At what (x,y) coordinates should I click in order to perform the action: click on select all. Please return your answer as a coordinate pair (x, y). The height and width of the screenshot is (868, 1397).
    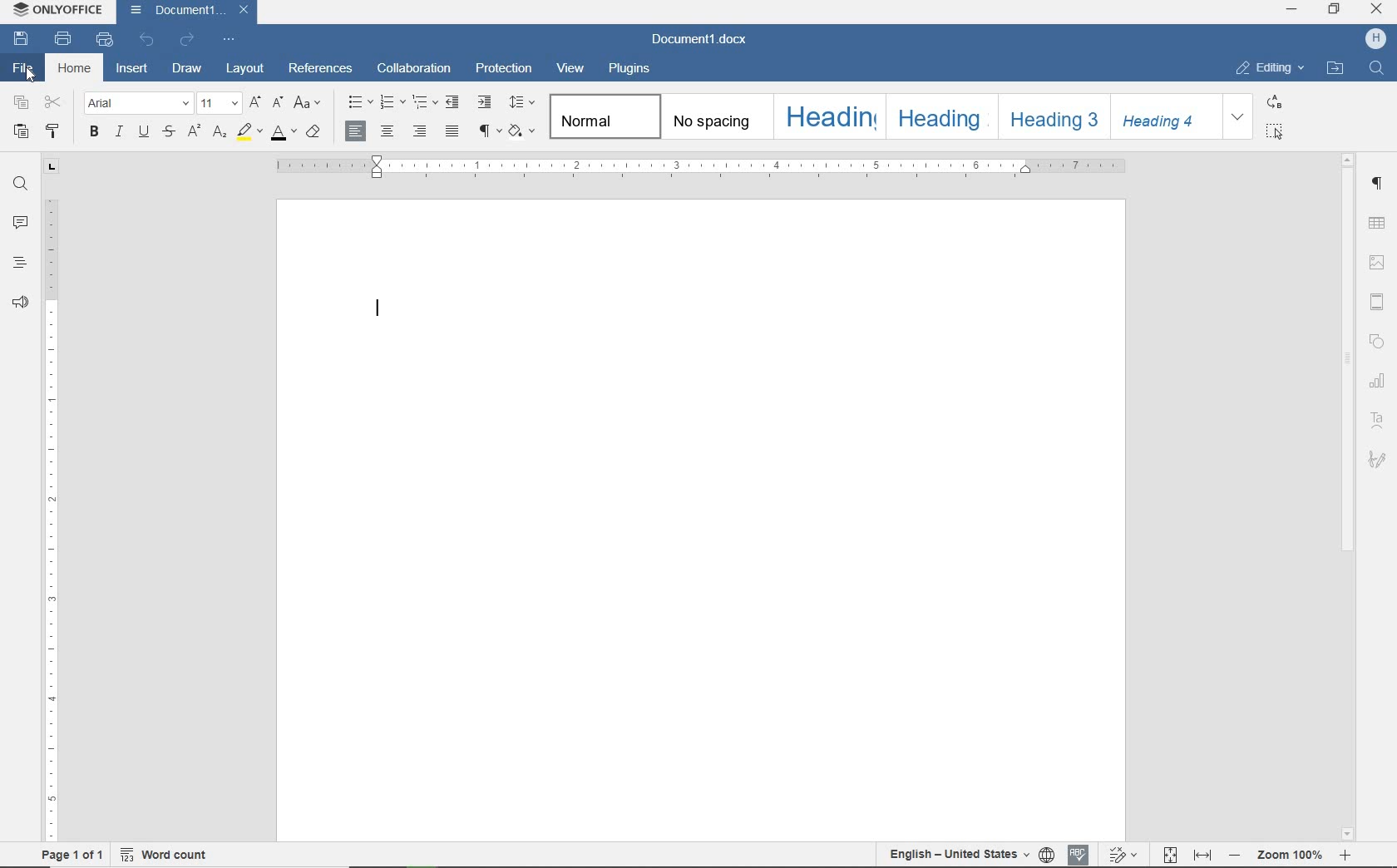
    Looking at the image, I should click on (1272, 131).